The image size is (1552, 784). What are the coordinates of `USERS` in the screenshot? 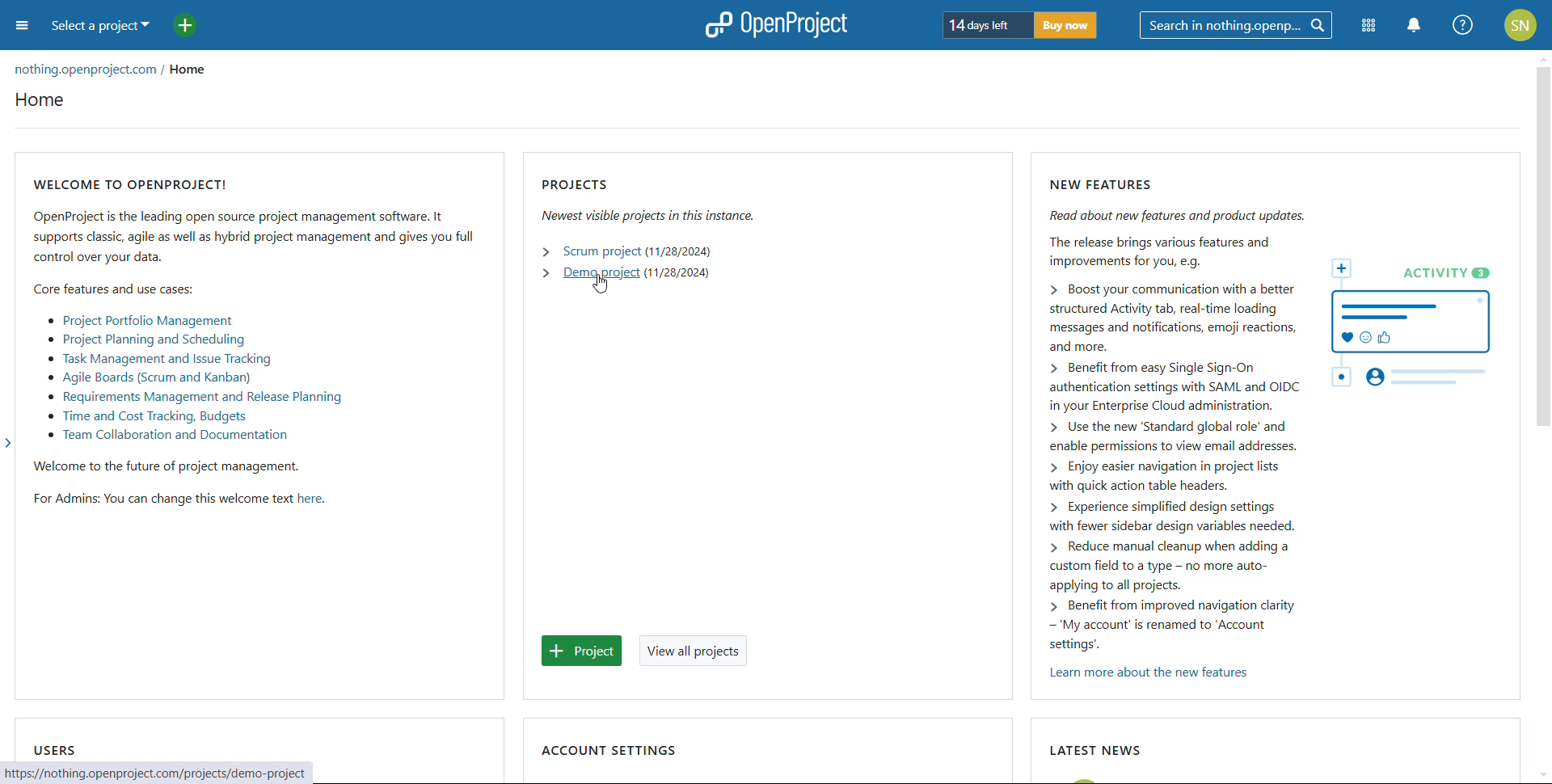 It's located at (54, 746).